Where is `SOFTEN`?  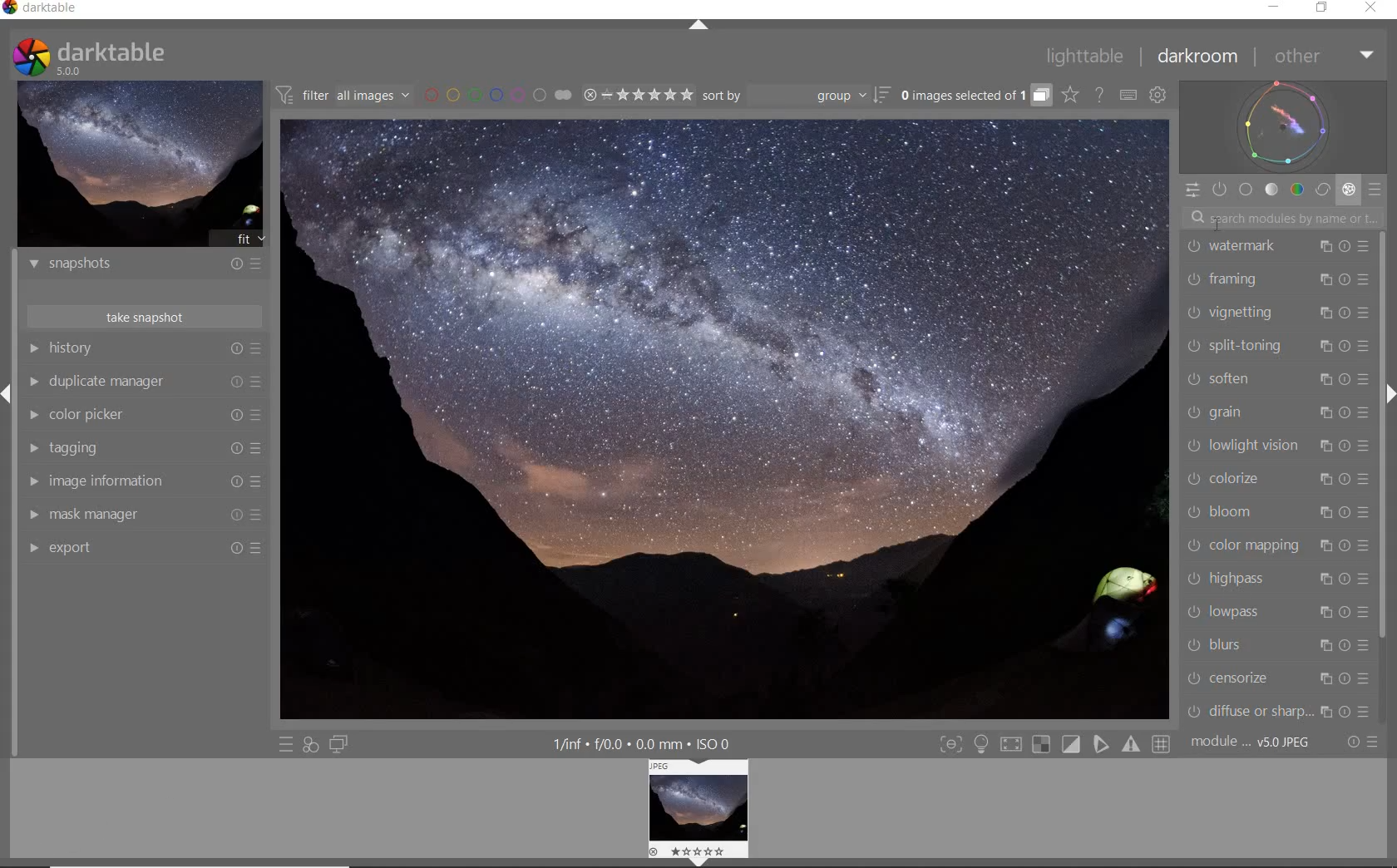
SOFTEN is located at coordinates (1221, 381).